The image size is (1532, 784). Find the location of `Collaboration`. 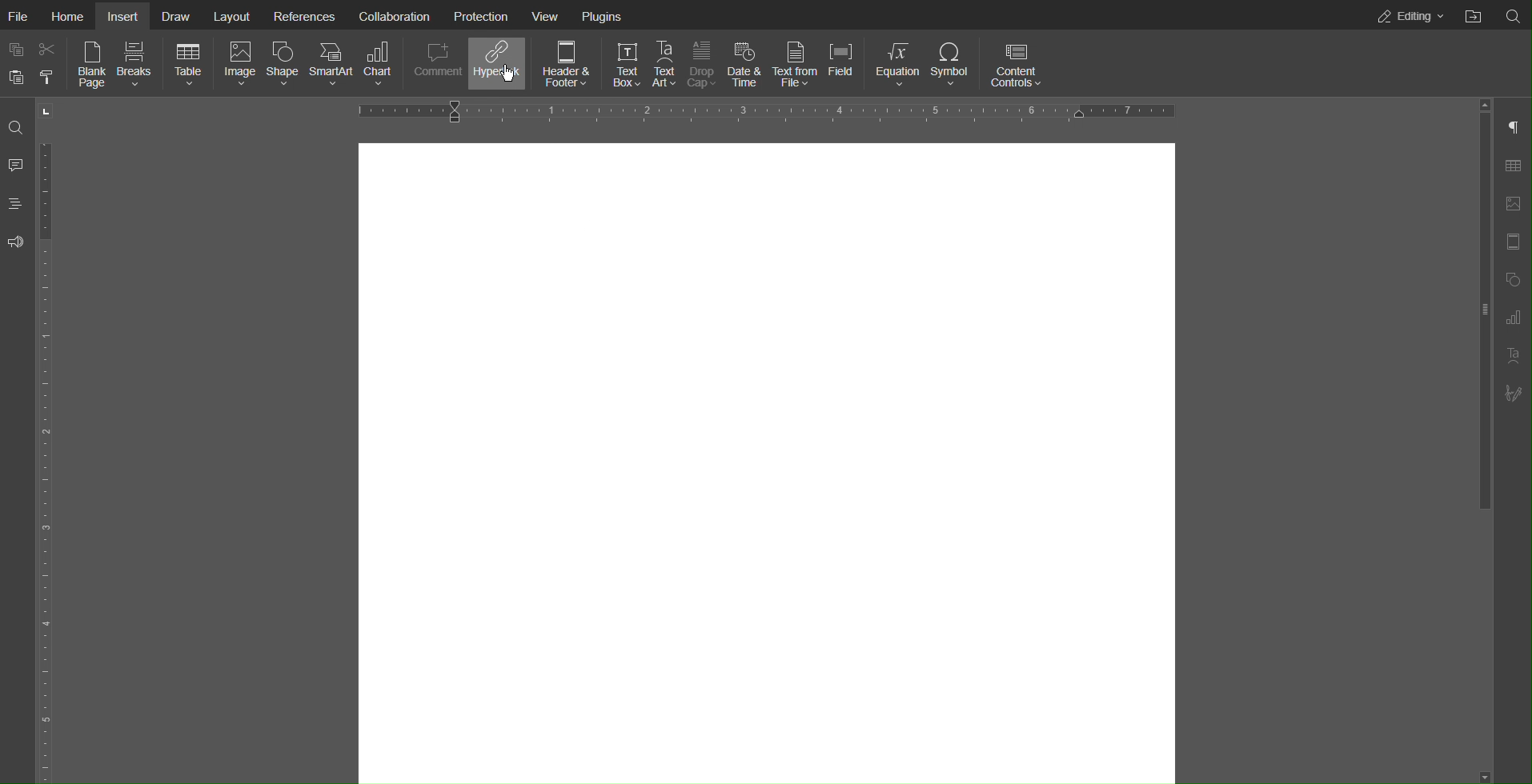

Collaboration is located at coordinates (393, 14).